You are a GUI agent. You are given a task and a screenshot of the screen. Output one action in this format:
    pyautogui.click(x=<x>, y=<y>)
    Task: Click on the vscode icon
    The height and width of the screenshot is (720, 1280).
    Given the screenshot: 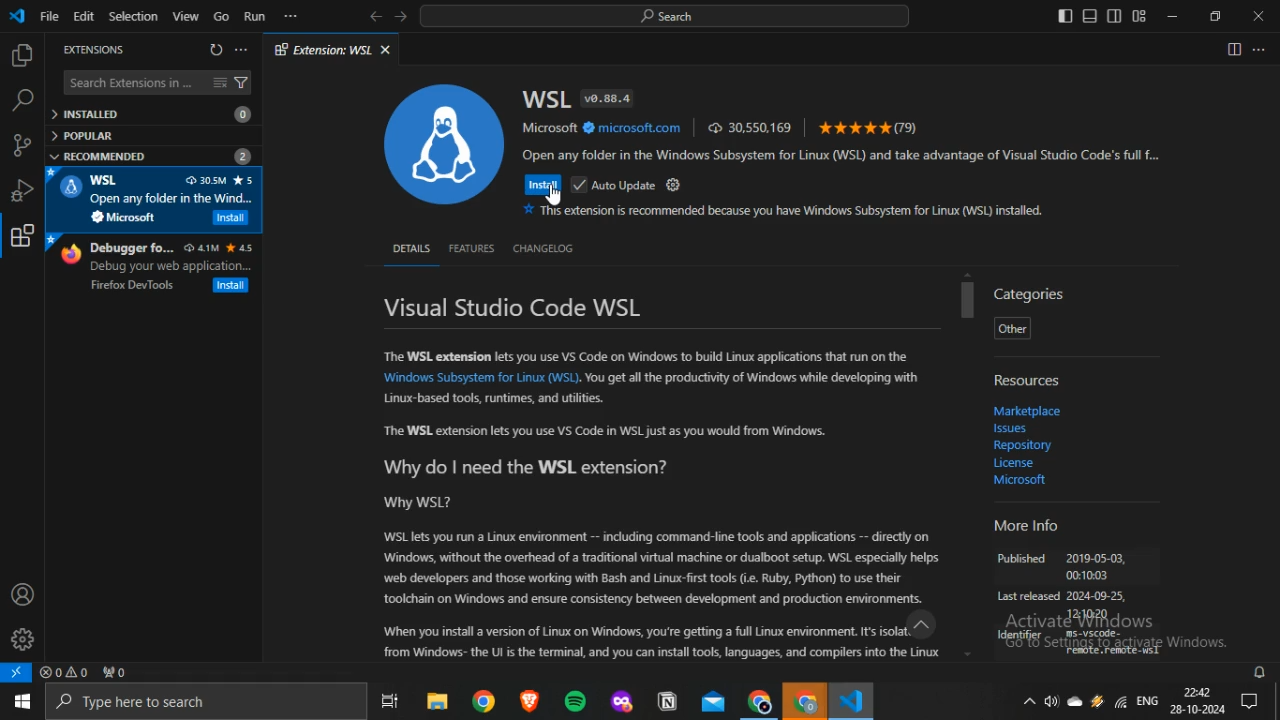 What is the action you would take?
    pyautogui.click(x=18, y=17)
    